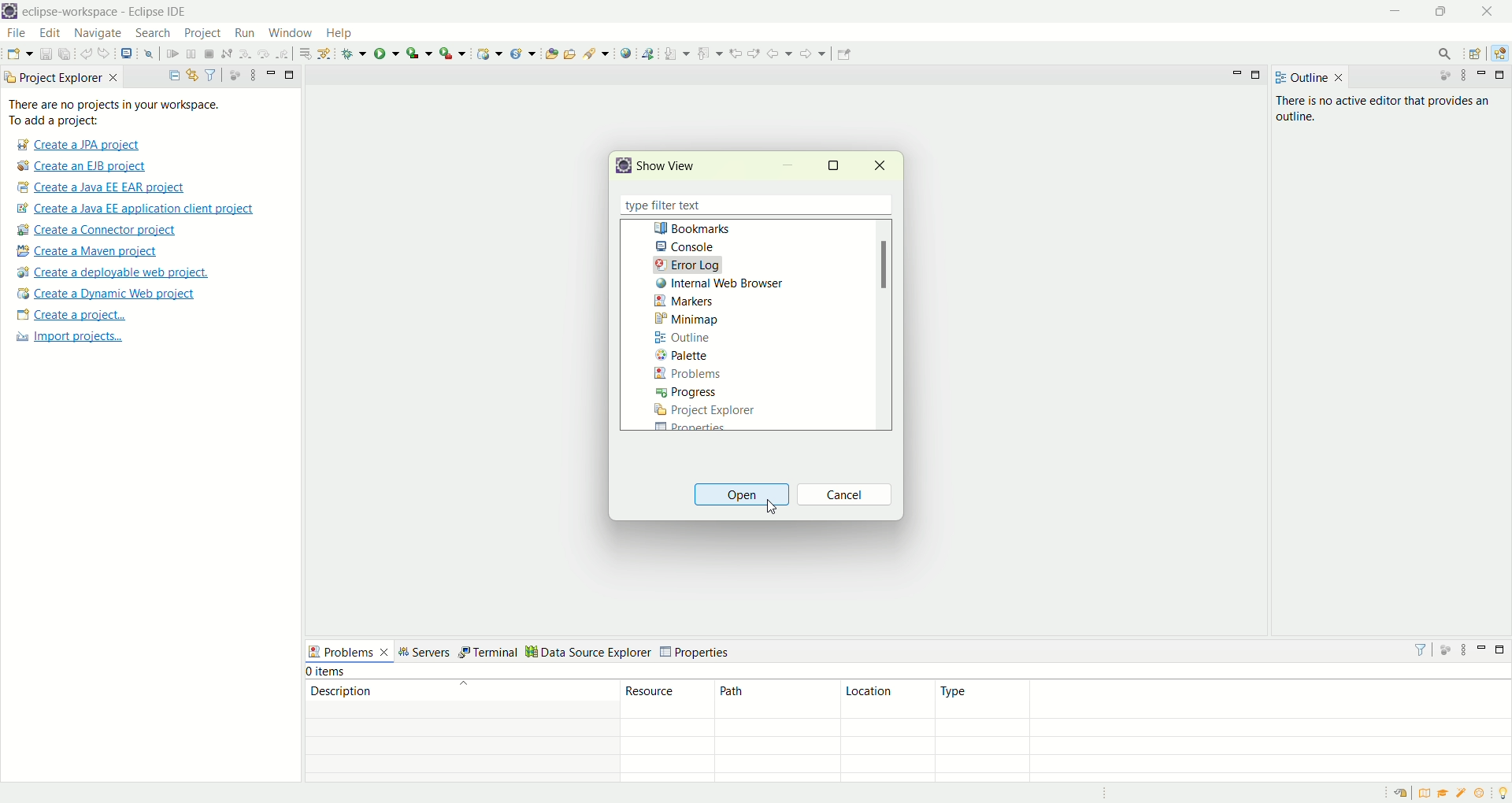  Describe the element at coordinates (148, 54) in the screenshot. I see `skip all the breakpoints` at that location.